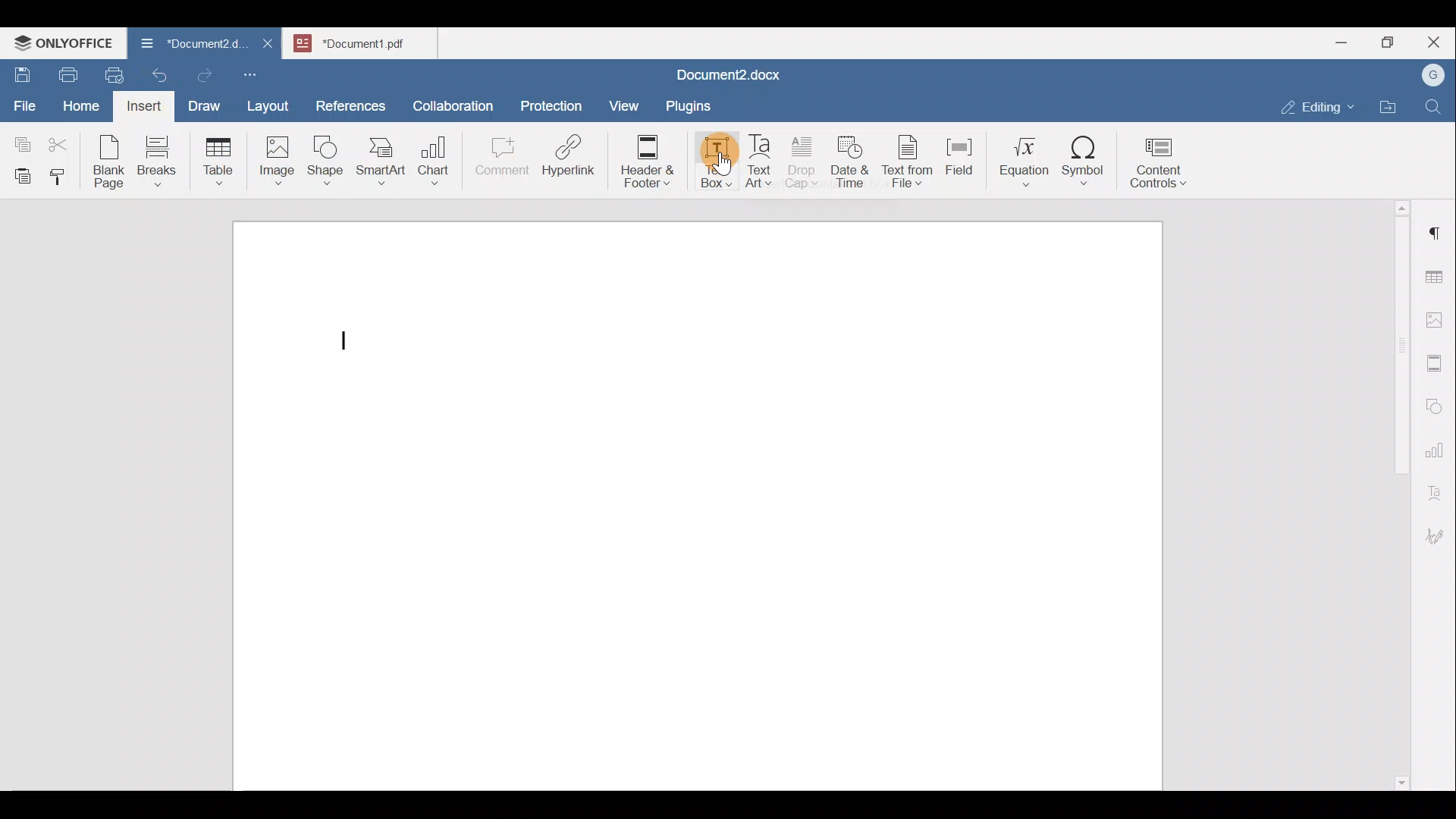  What do you see at coordinates (204, 76) in the screenshot?
I see `Redo` at bounding box center [204, 76].